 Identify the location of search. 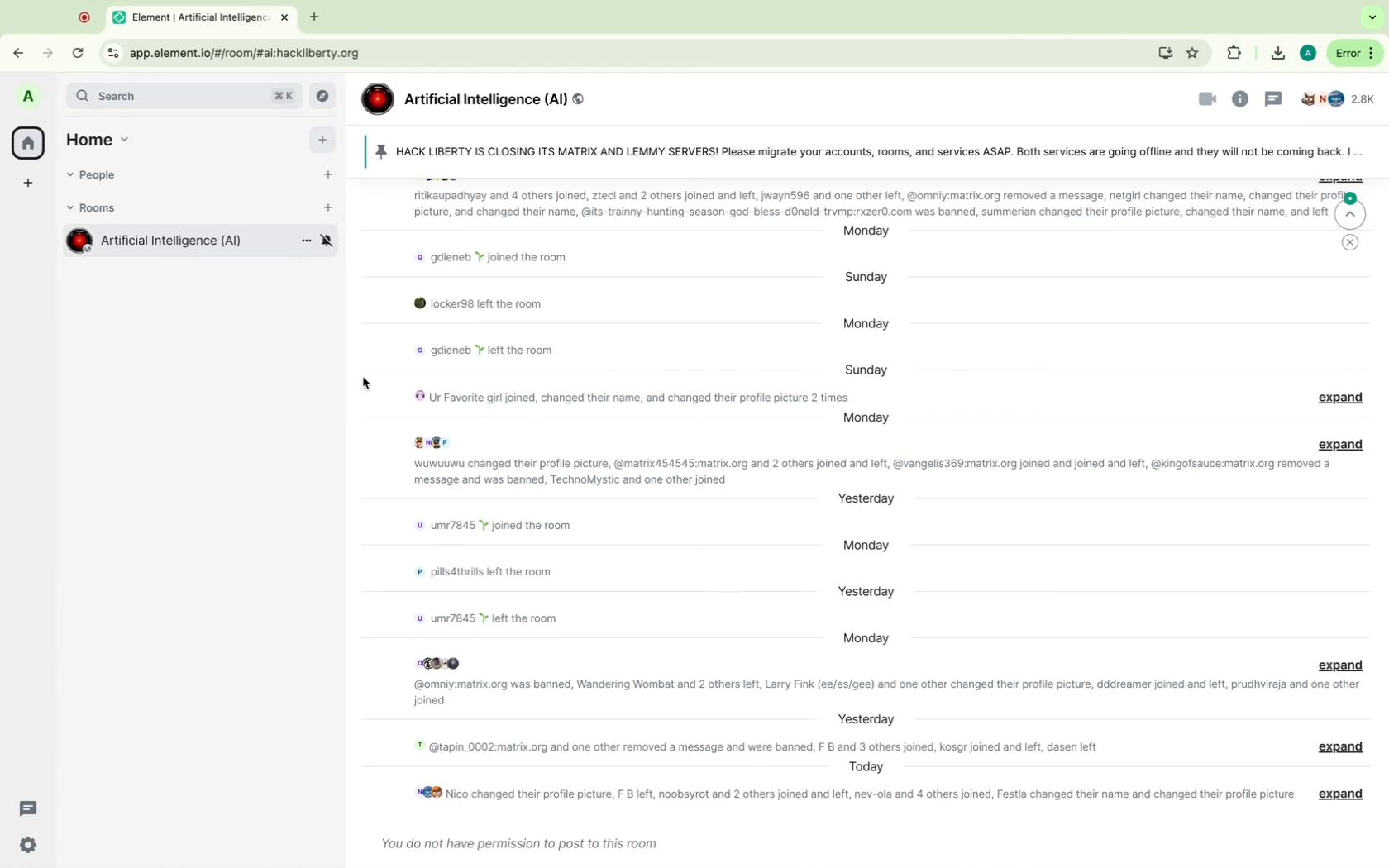
(185, 98).